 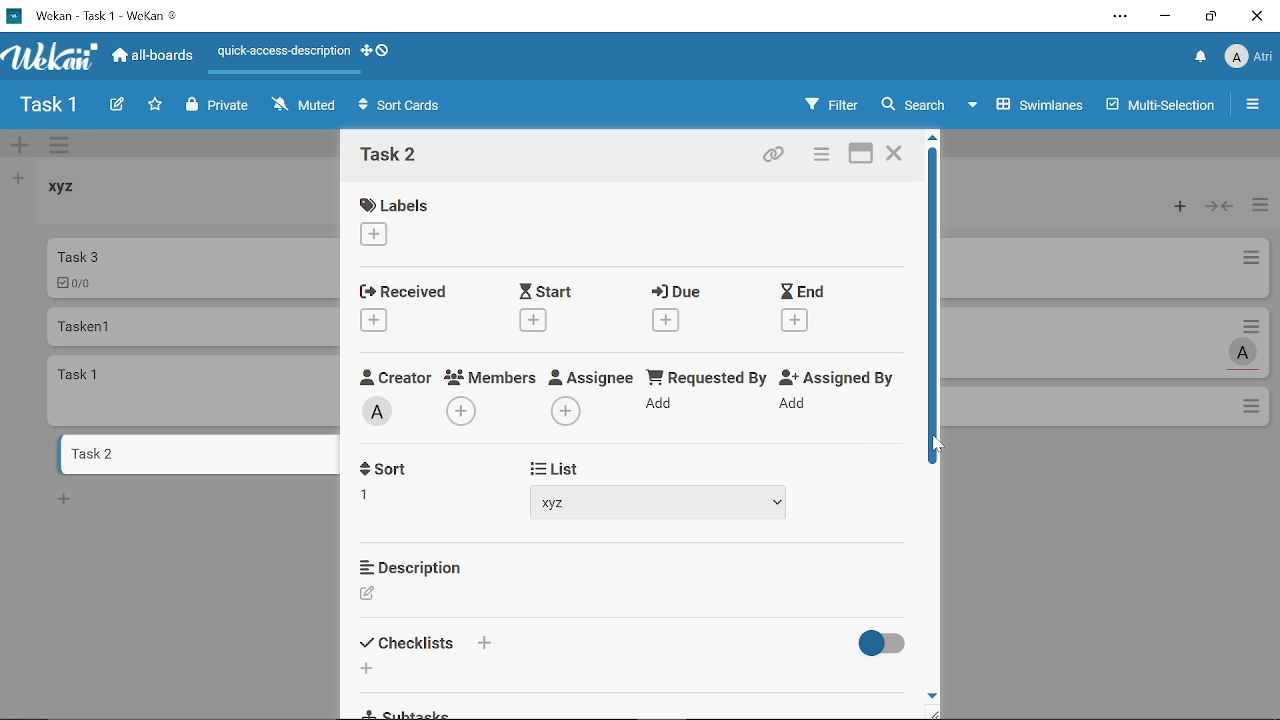 I want to click on Card actions, so click(x=1250, y=261).